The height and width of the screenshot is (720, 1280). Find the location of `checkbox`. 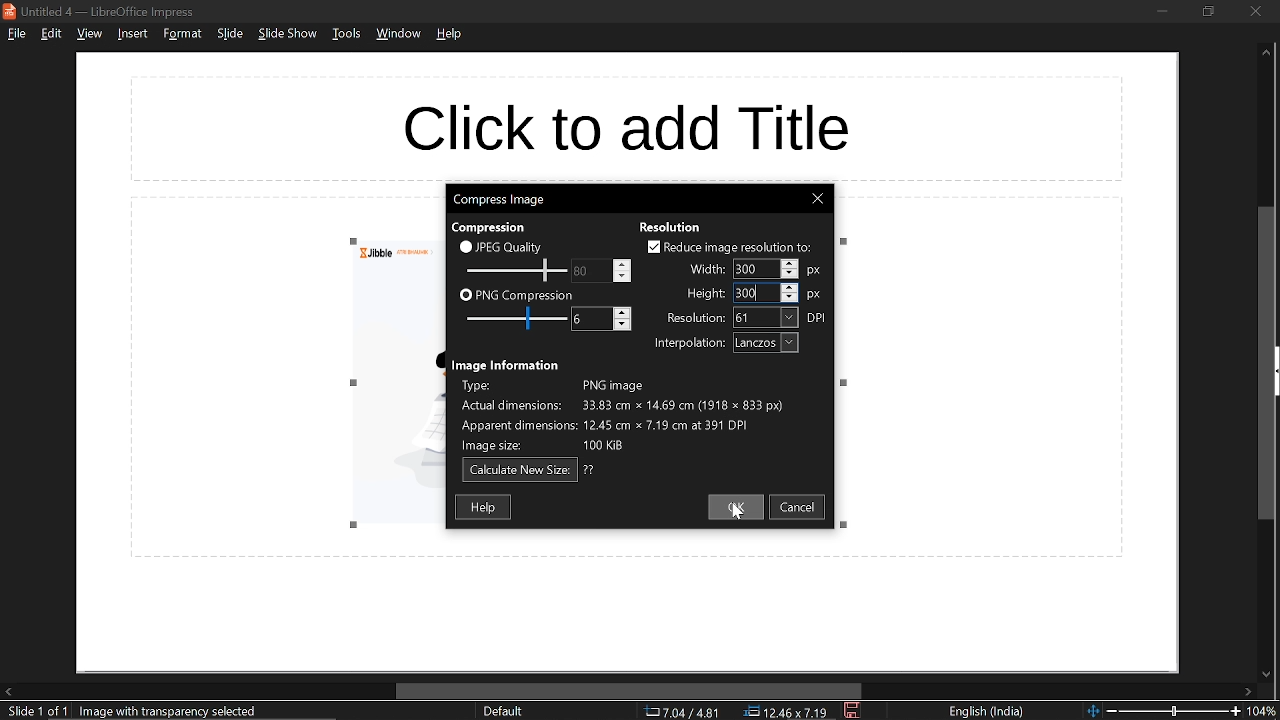

checkbox is located at coordinates (465, 246).